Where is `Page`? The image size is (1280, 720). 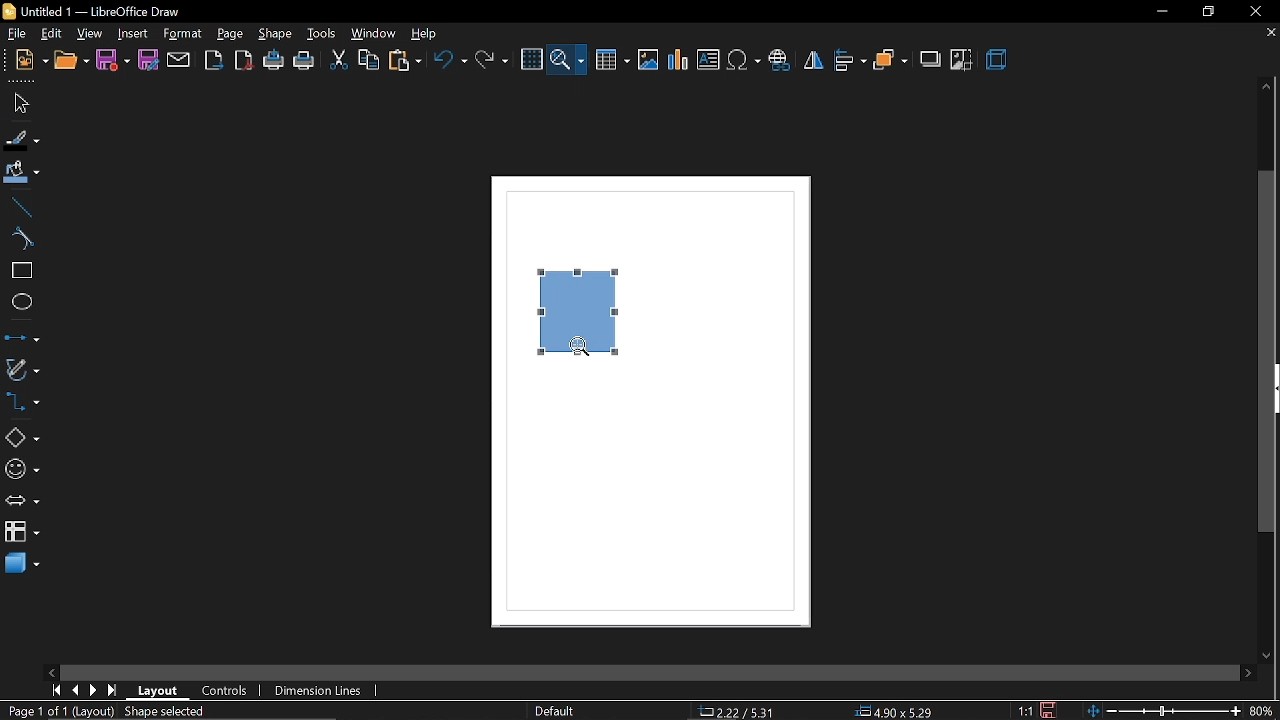
Page is located at coordinates (650, 511).